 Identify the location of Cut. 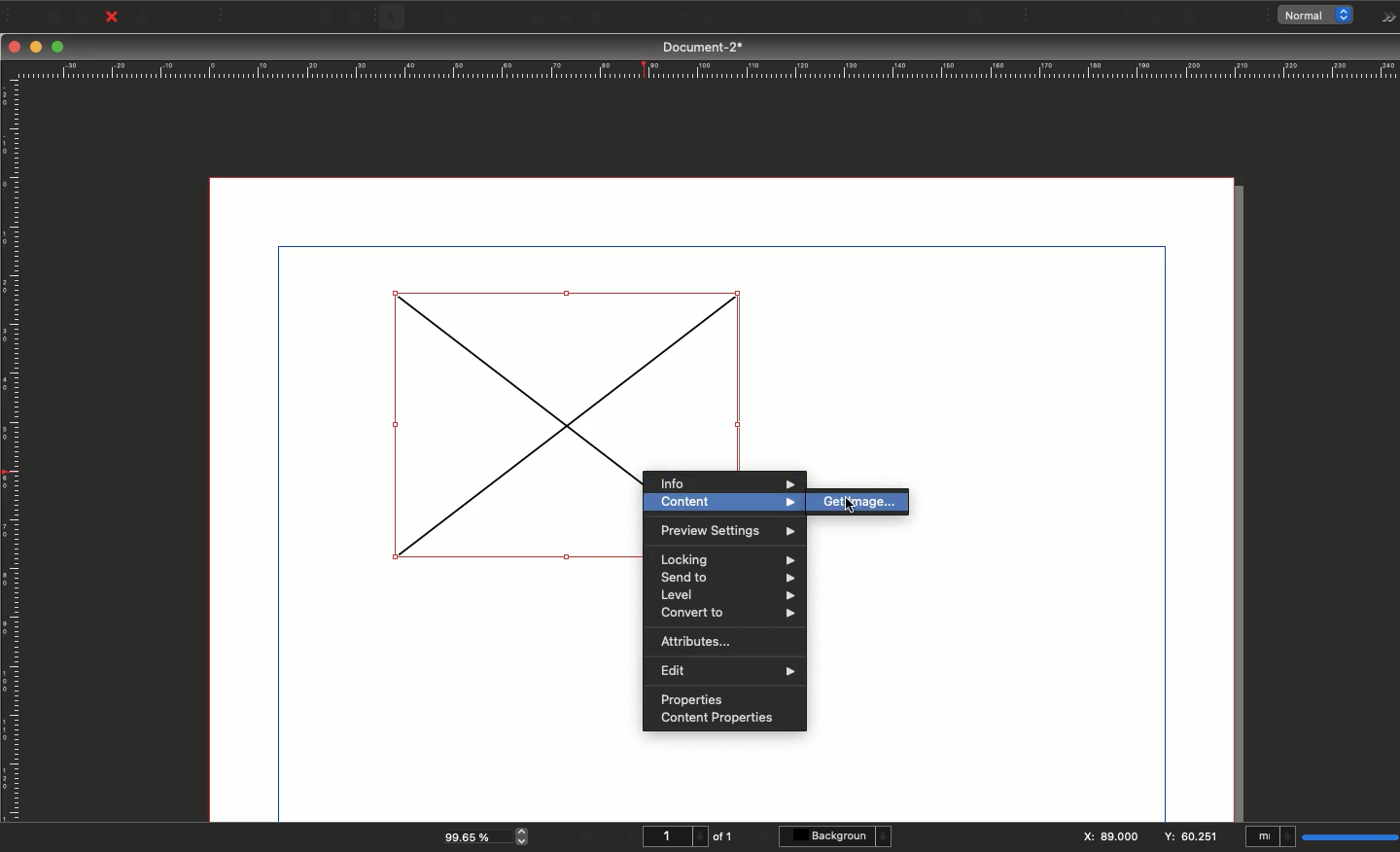
(296, 18).